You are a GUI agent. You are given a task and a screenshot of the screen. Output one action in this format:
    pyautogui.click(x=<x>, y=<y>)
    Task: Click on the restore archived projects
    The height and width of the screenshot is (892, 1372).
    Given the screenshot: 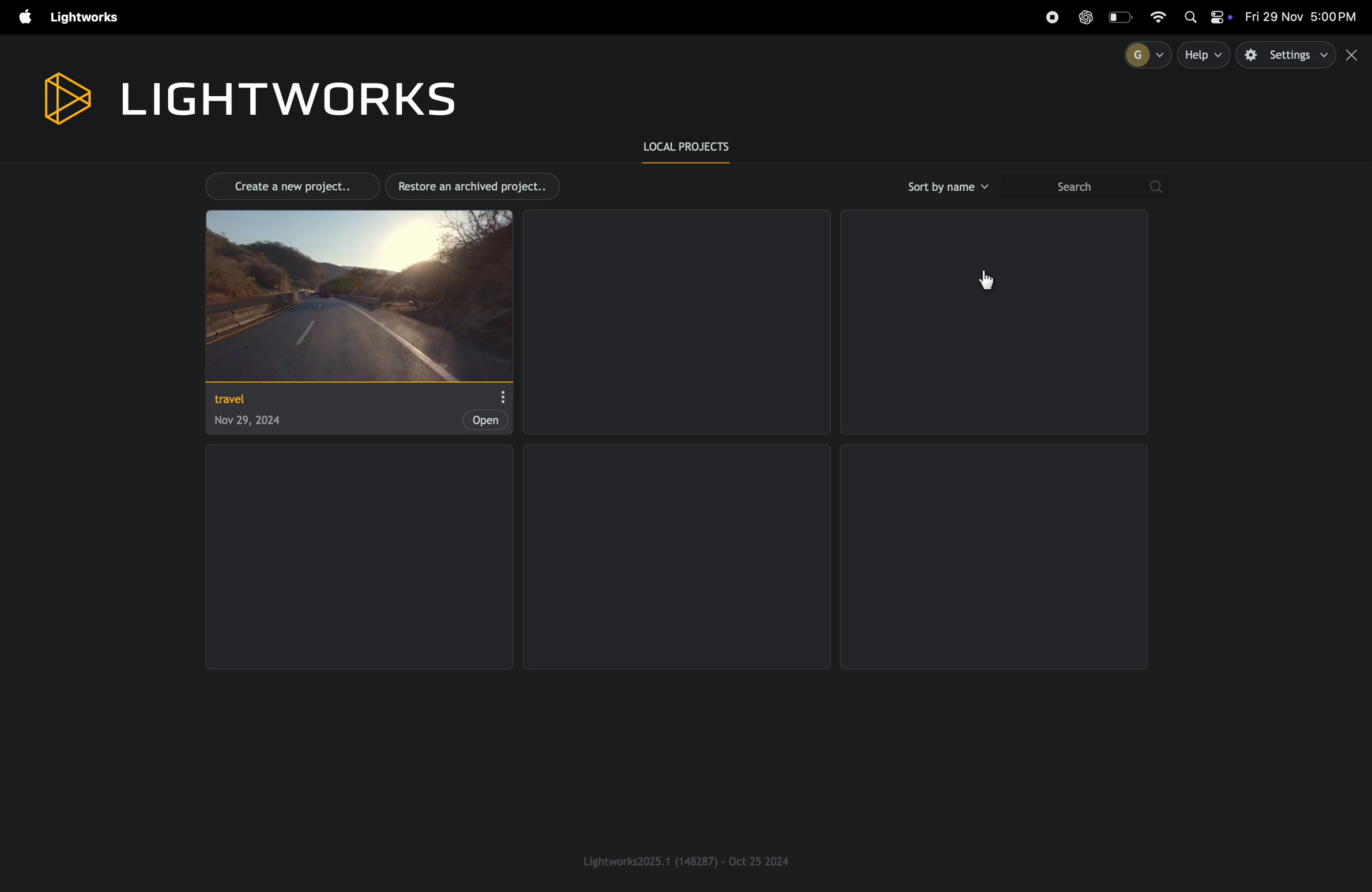 What is the action you would take?
    pyautogui.click(x=477, y=186)
    